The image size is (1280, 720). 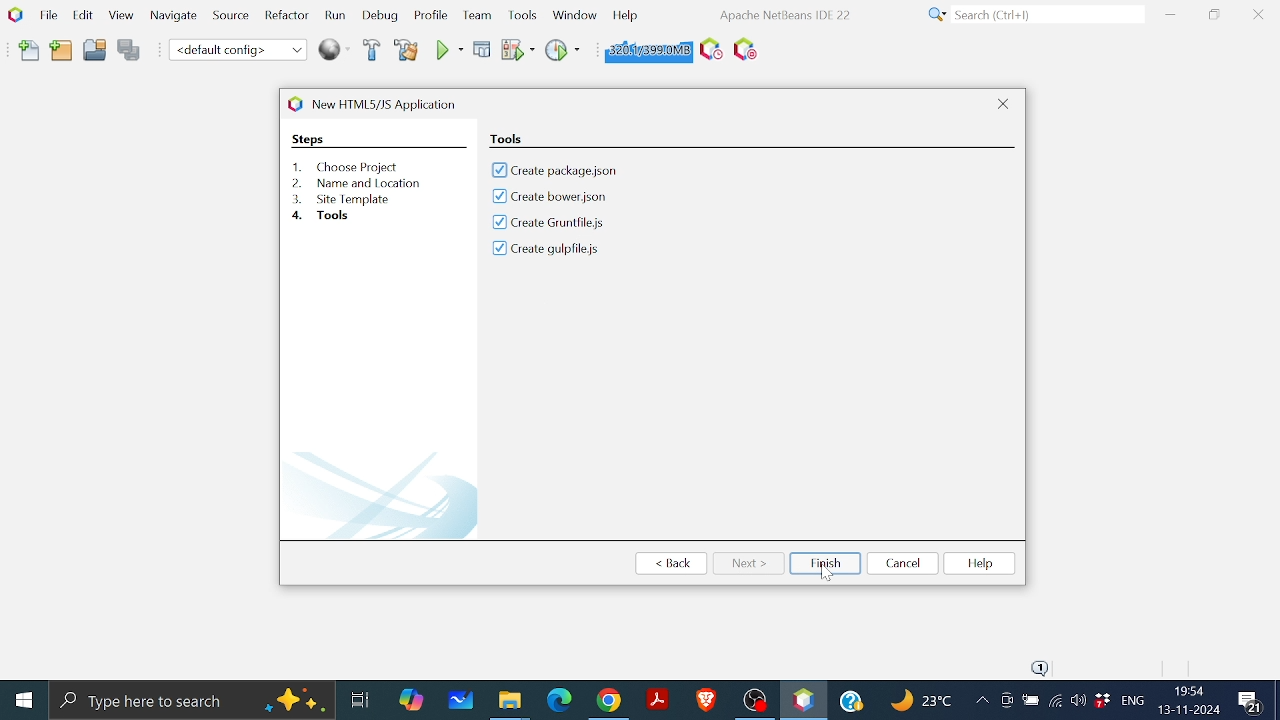 What do you see at coordinates (981, 702) in the screenshot?
I see `Show hidden icons` at bounding box center [981, 702].